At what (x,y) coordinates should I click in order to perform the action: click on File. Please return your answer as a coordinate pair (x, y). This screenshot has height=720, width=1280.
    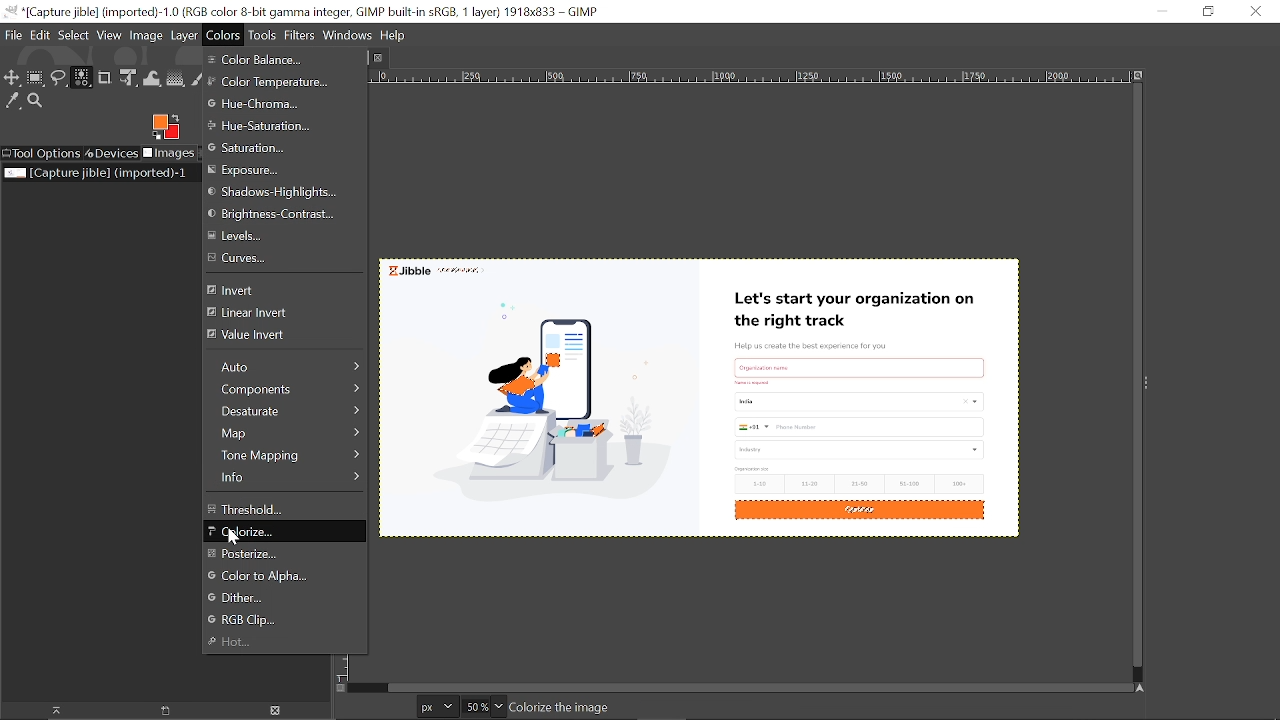
    Looking at the image, I should click on (13, 34).